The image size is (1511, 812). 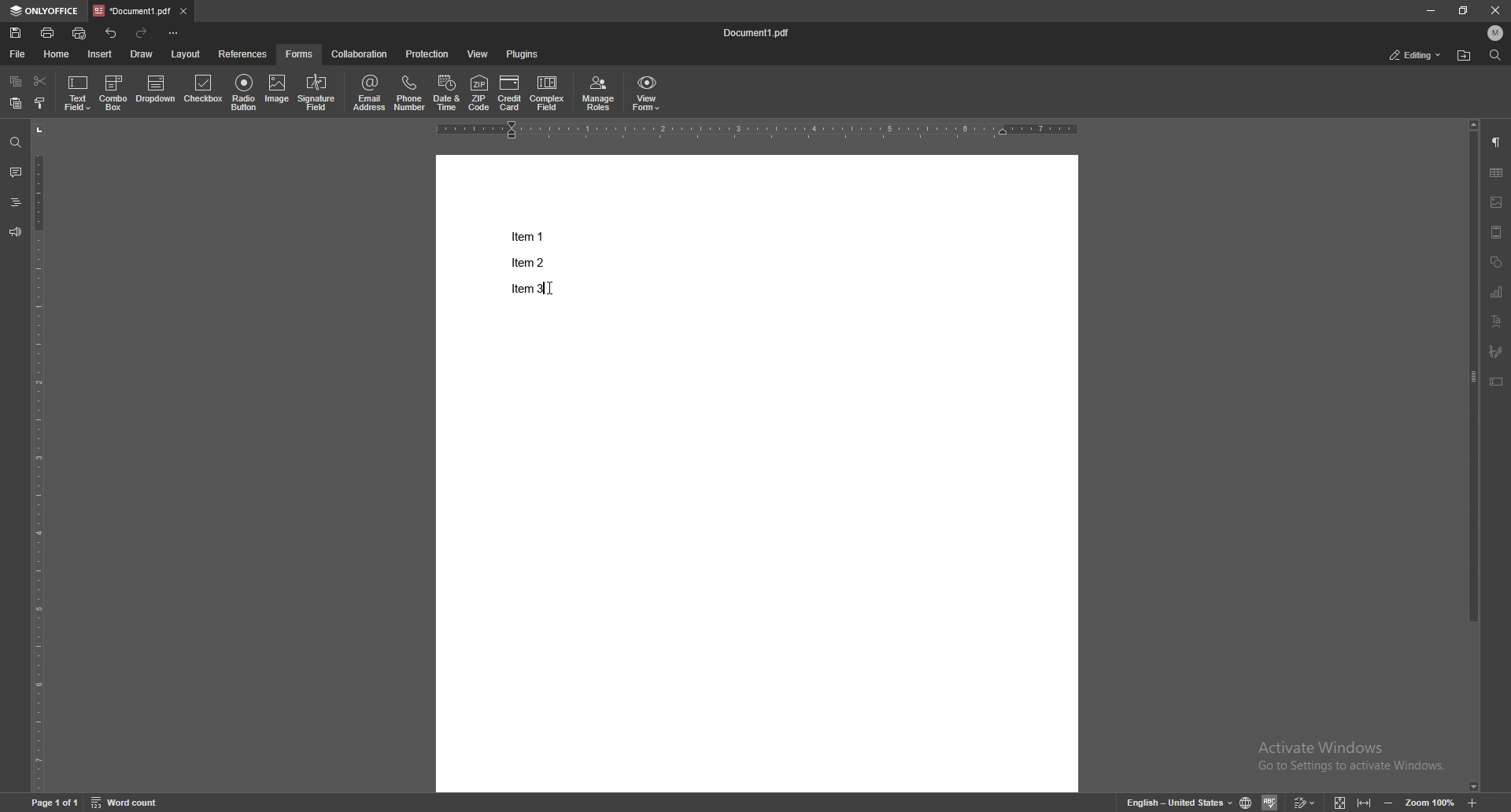 What do you see at coordinates (480, 94) in the screenshot?
I see `zip code` at bounding box center [480, 94].